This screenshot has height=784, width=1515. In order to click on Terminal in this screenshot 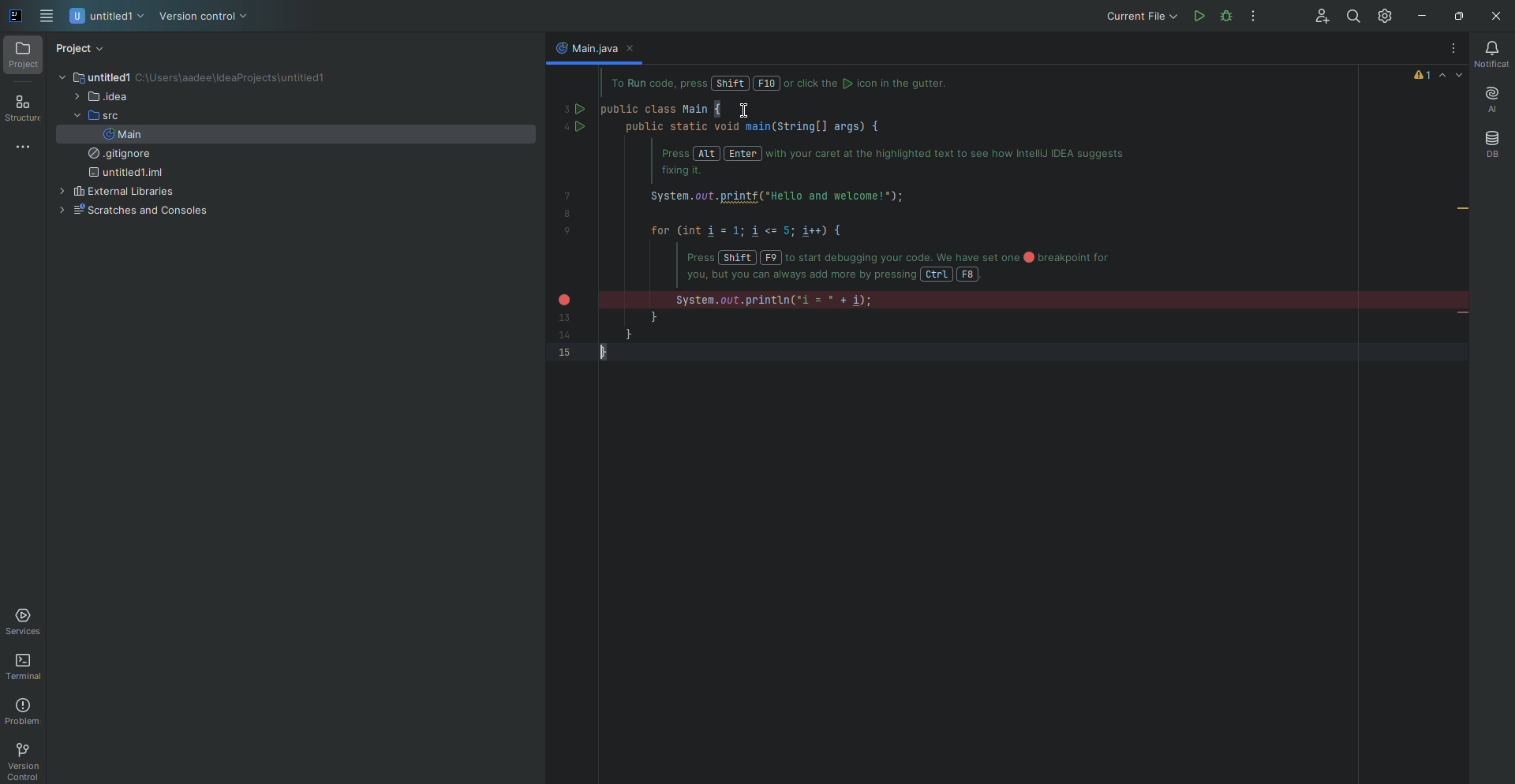, I will do `click(27, 667)`.